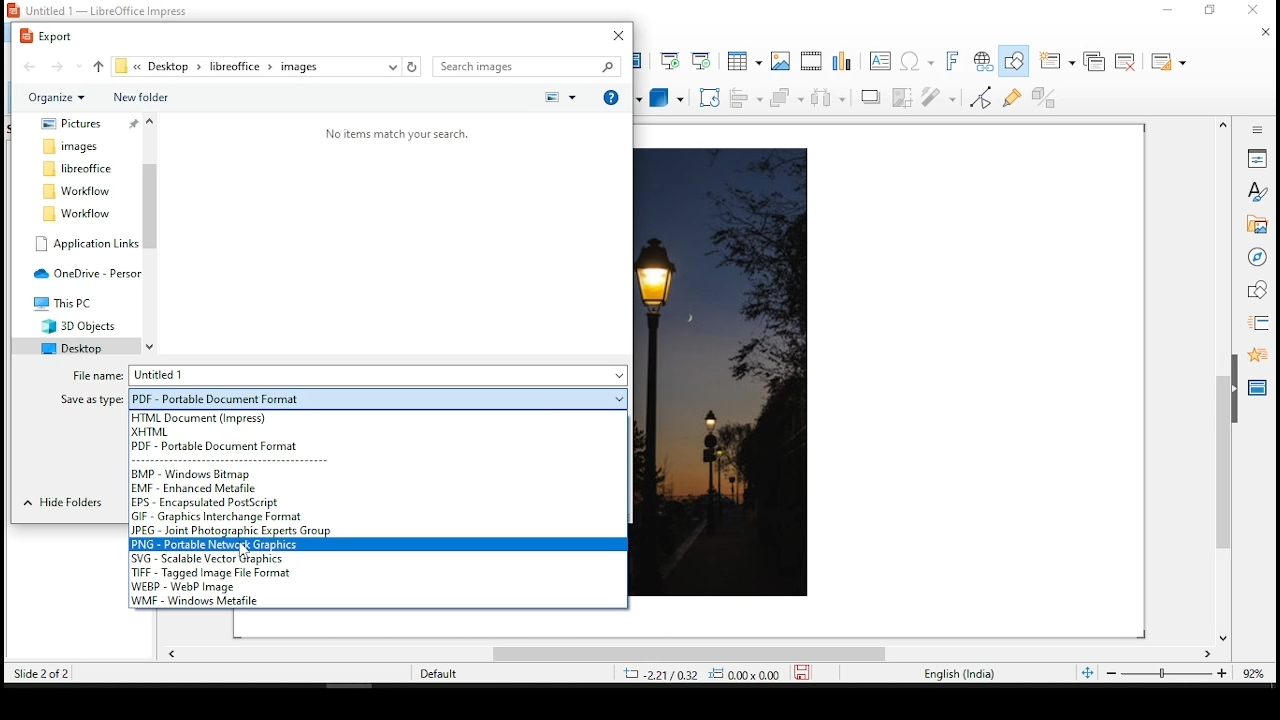 The image size is (1280, 720). What do you see at coordinates (73, 146) in the screenshot?
I see `folder` at bounding box center [73, 146].